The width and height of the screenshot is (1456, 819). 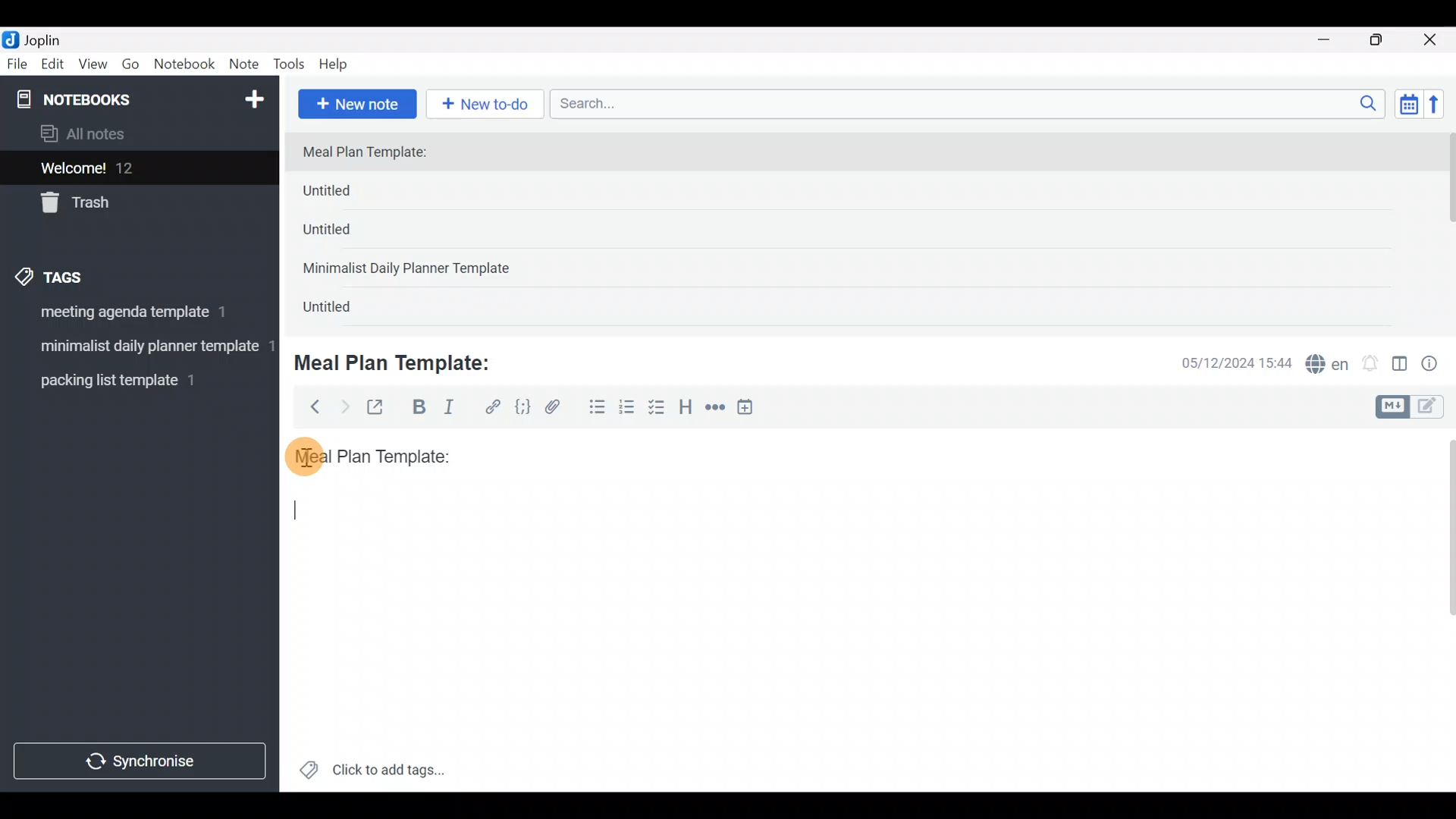 What do you see at coordinates (521, 406) in the screenshot?
I see `Code` at bounding box center [521, 406].